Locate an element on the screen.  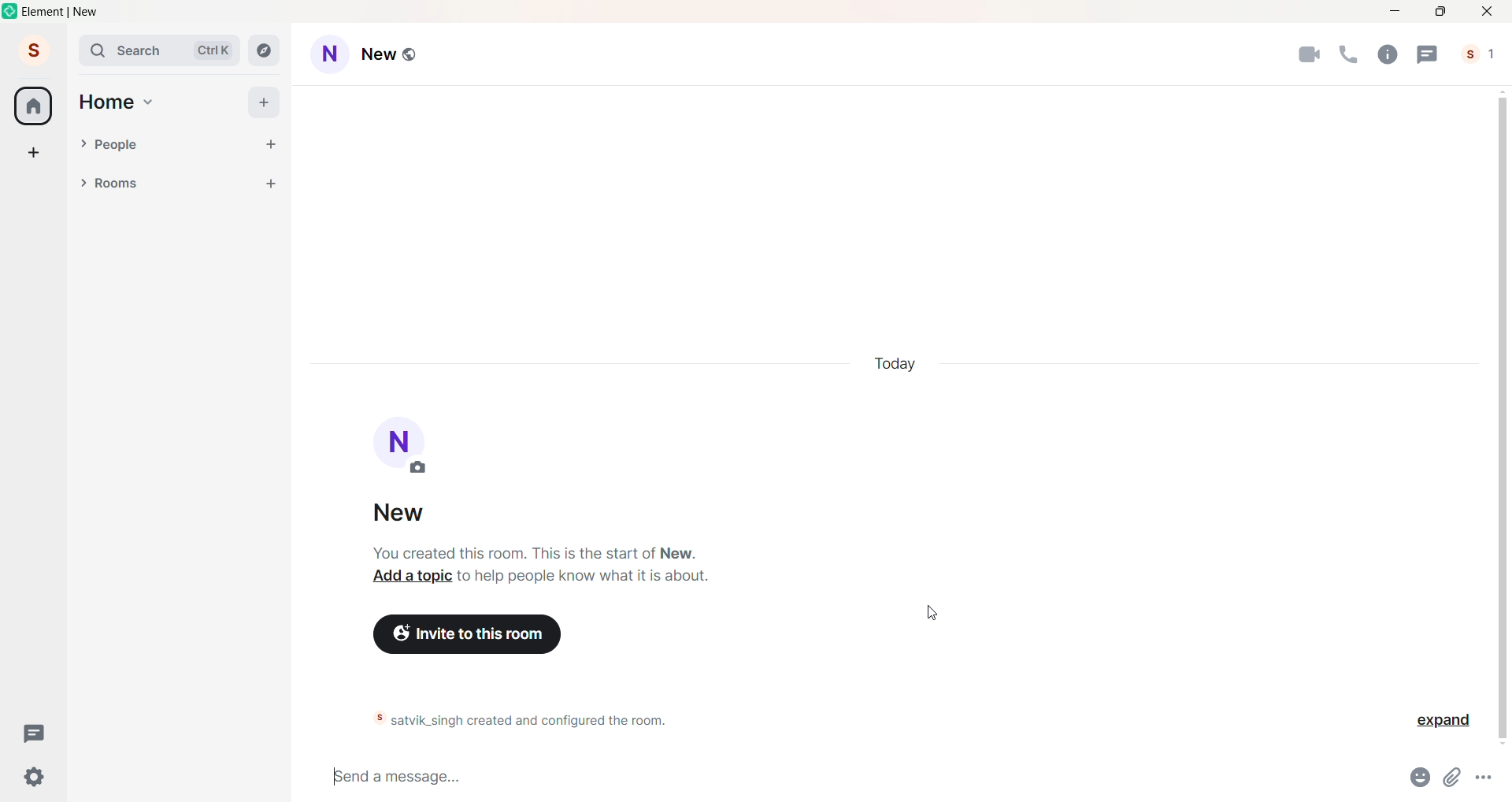
Home Drop Down is located at coordinates (149, 102).